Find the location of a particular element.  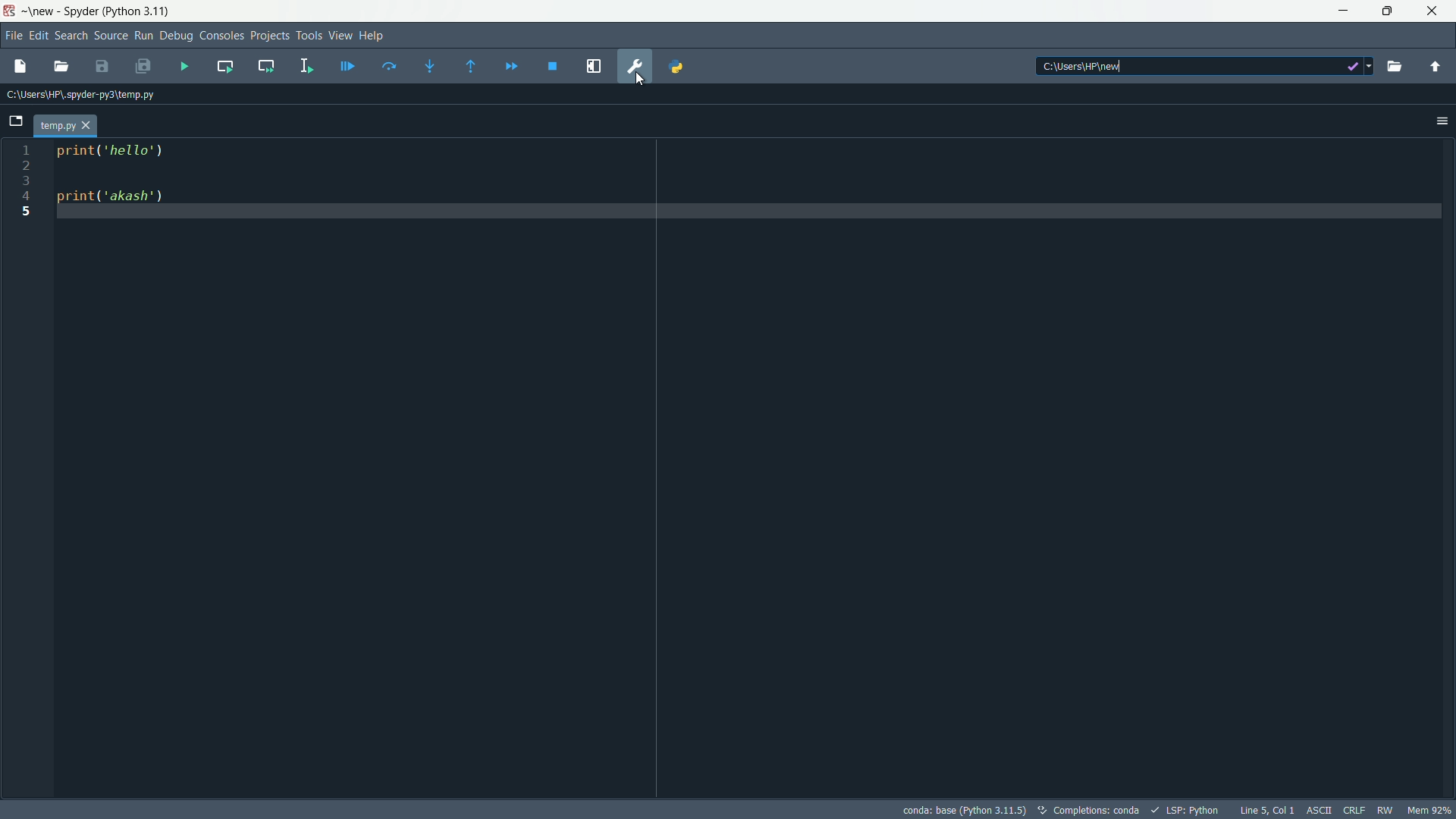

memory usage 92% is located at coordinates (1429, 810).